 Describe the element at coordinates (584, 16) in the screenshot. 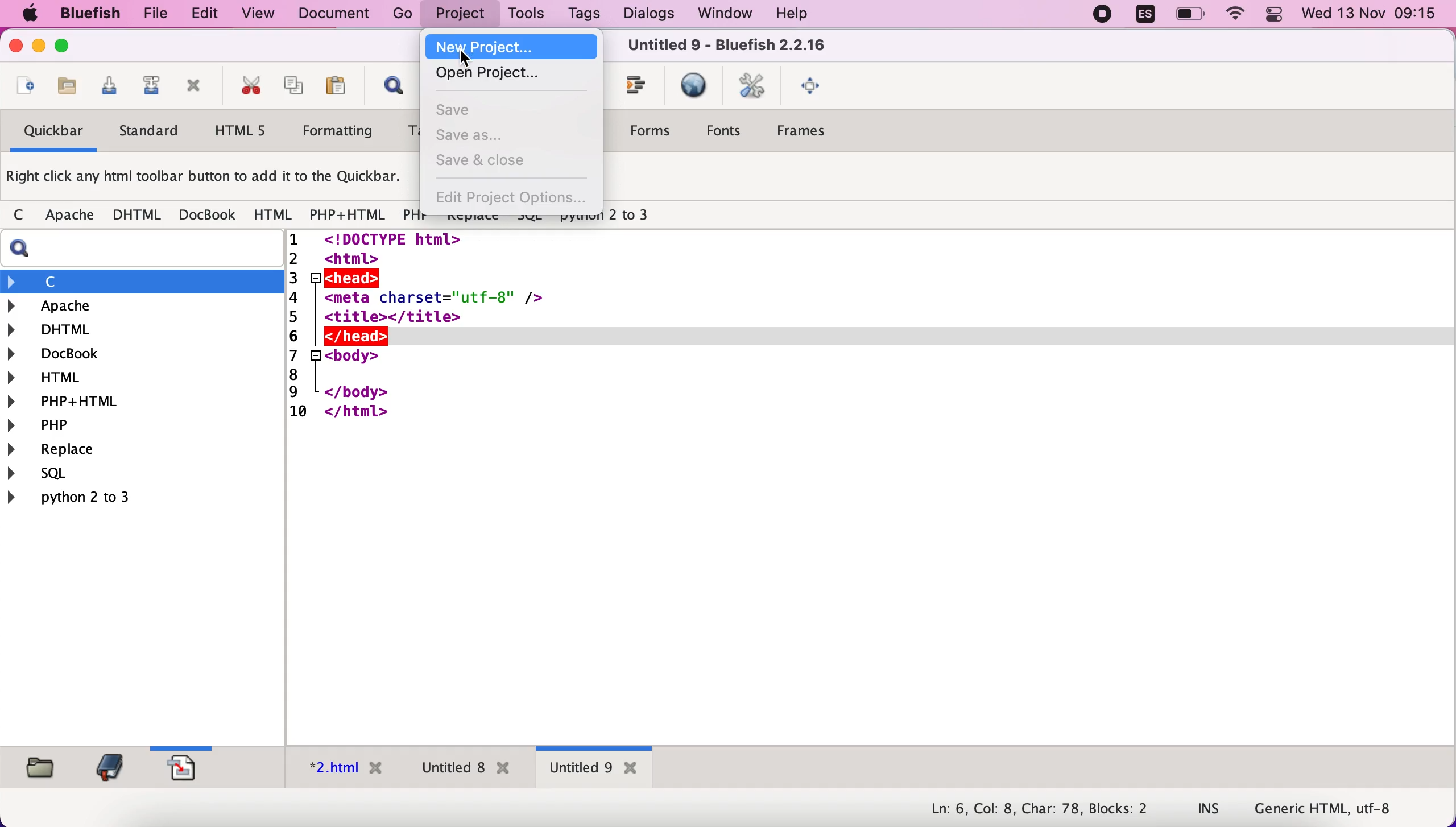

I see `tags` at that location.